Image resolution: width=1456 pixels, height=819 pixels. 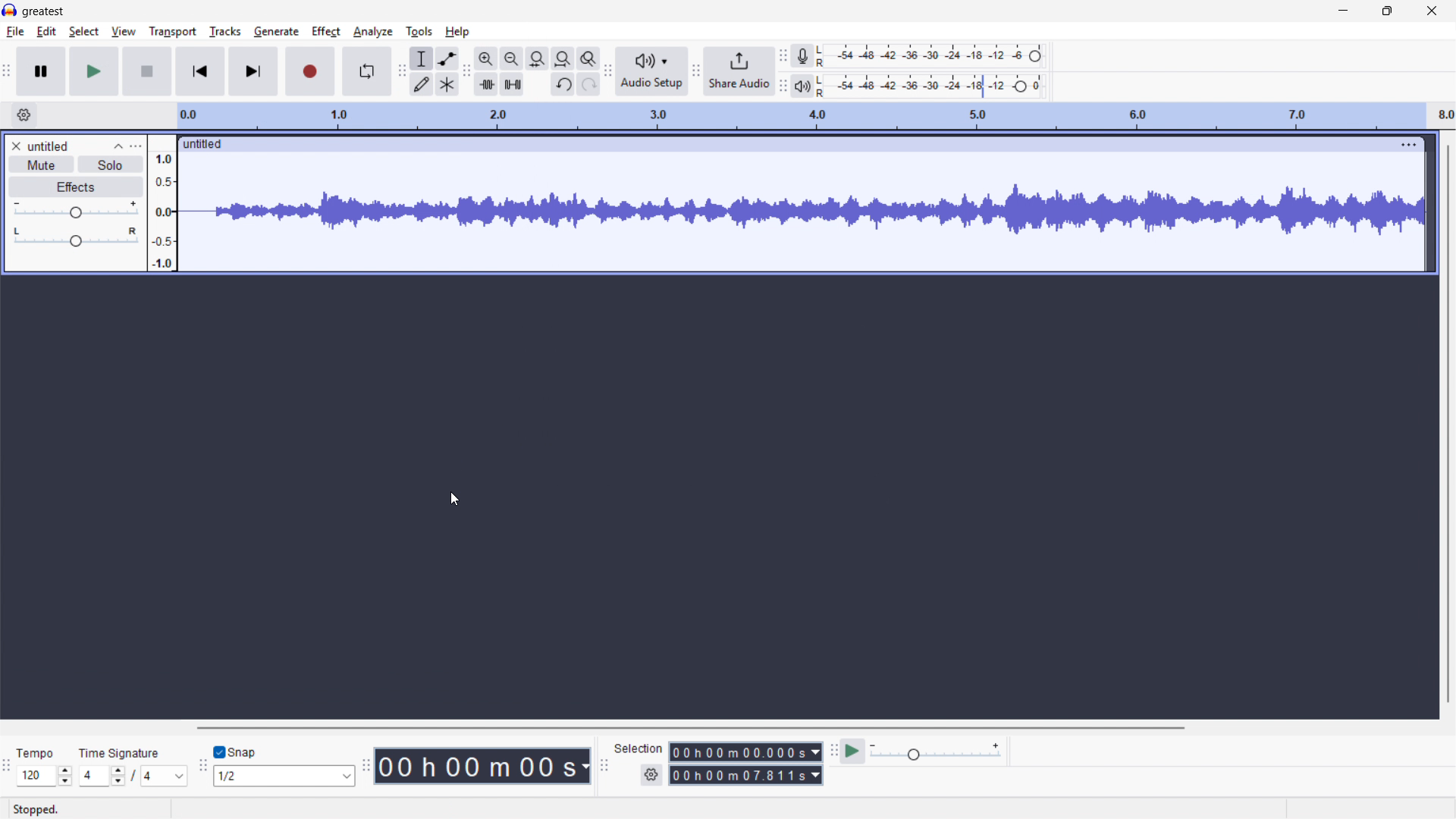 I want to click on skip to end, so click(x=255, y=71).